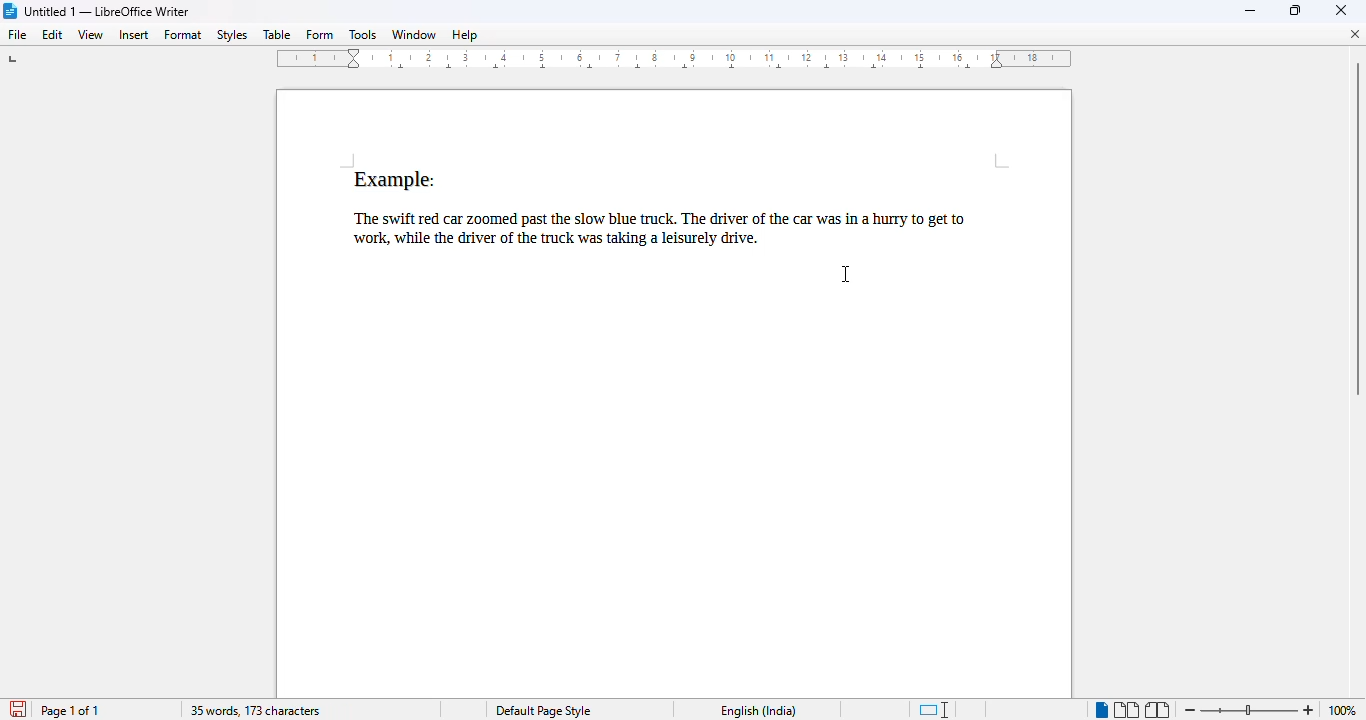  Describe the element at coordinates (1356, 34) in the screenshot. I see `close document` at that location.